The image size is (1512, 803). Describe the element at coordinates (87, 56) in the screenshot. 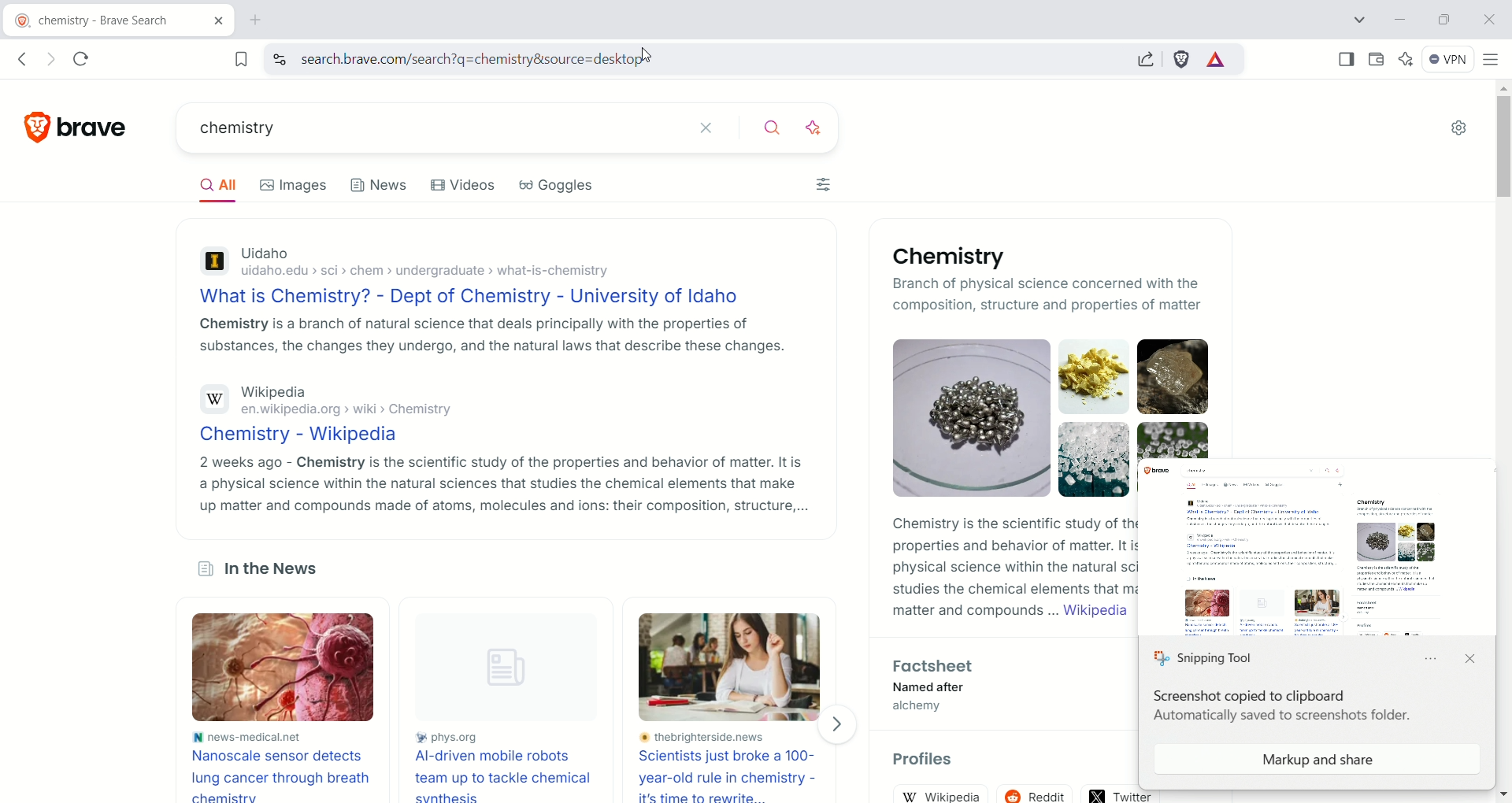

I see `reload` at that location.